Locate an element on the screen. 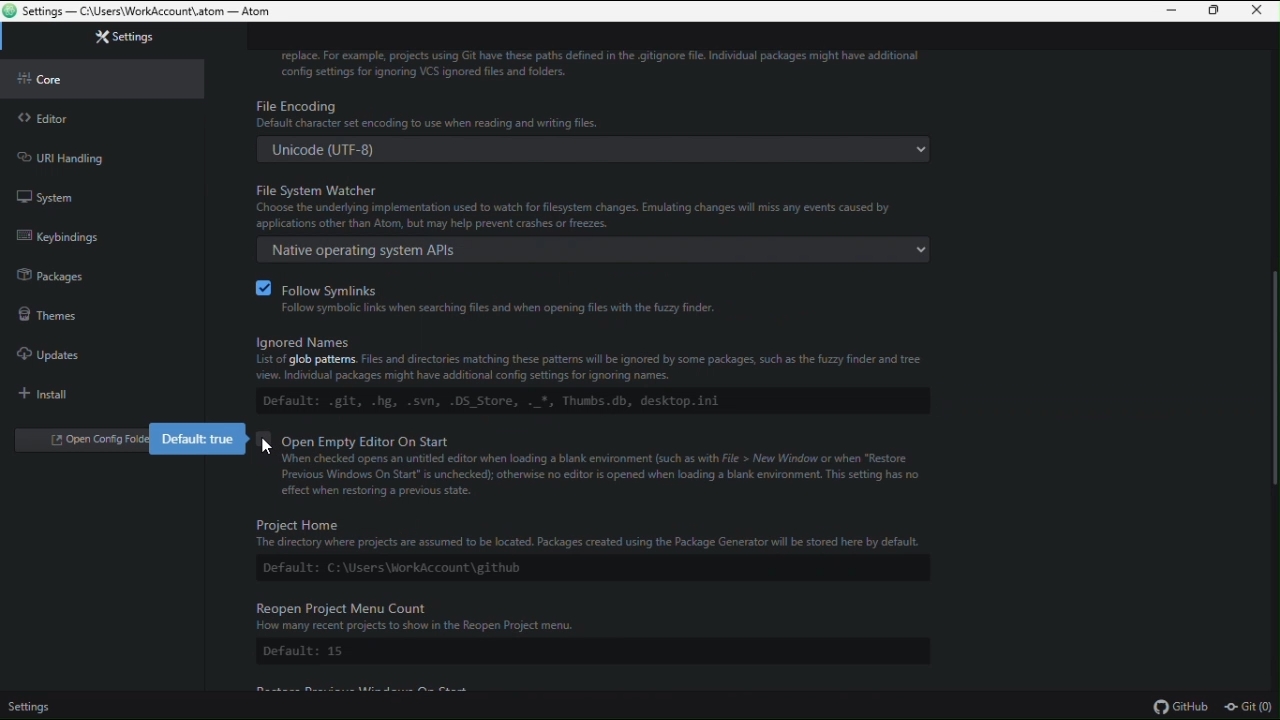 Image resolution: width=1280 pixels, height=720 pixels. default value is located at coordinates (198, 439).